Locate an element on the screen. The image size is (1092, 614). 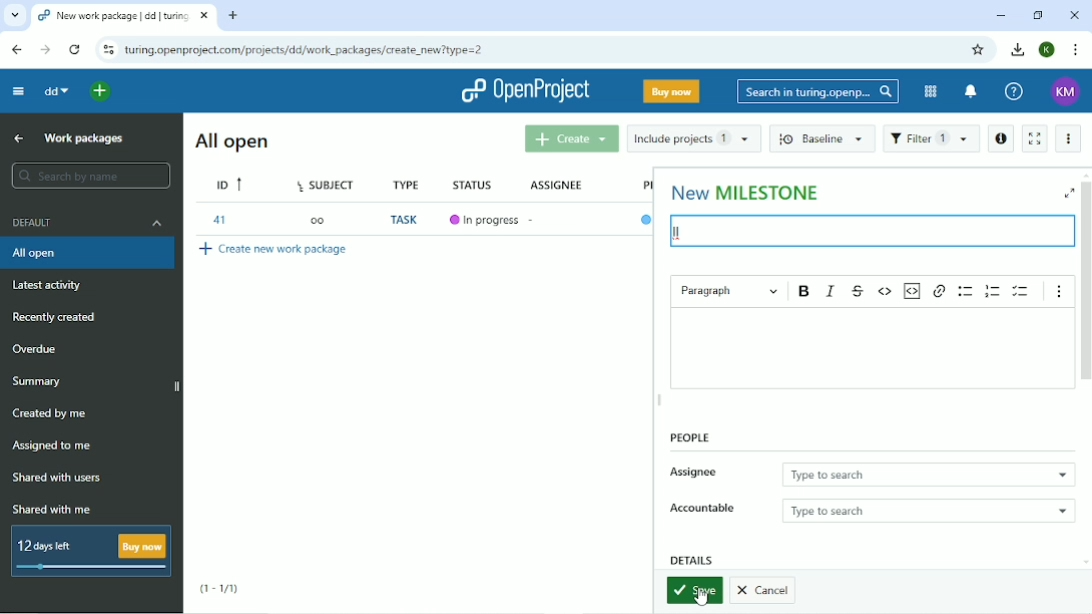
Activate zen mode is located at coordinates (1034, 139).